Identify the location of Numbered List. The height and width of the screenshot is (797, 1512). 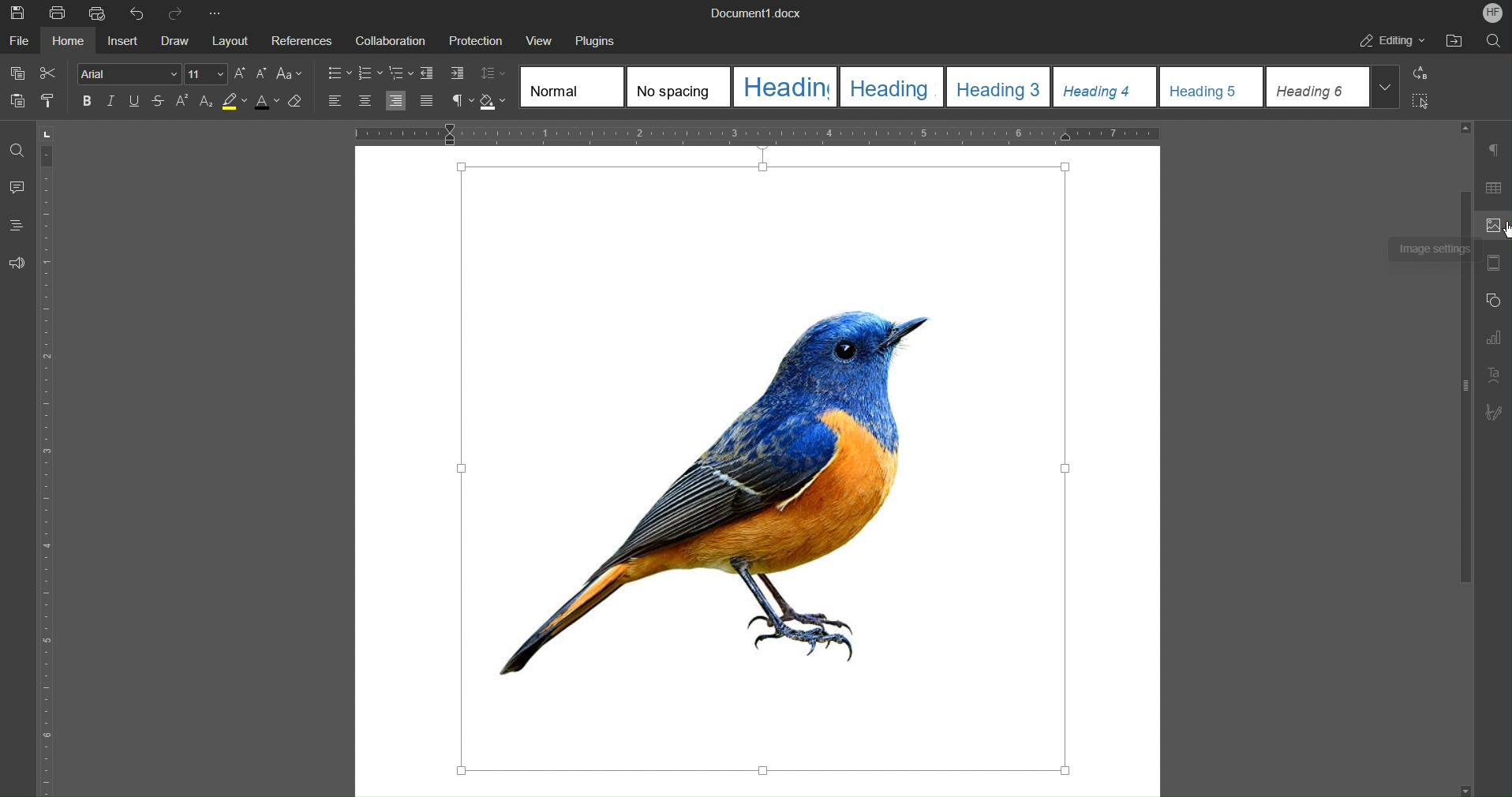
(370, 74).